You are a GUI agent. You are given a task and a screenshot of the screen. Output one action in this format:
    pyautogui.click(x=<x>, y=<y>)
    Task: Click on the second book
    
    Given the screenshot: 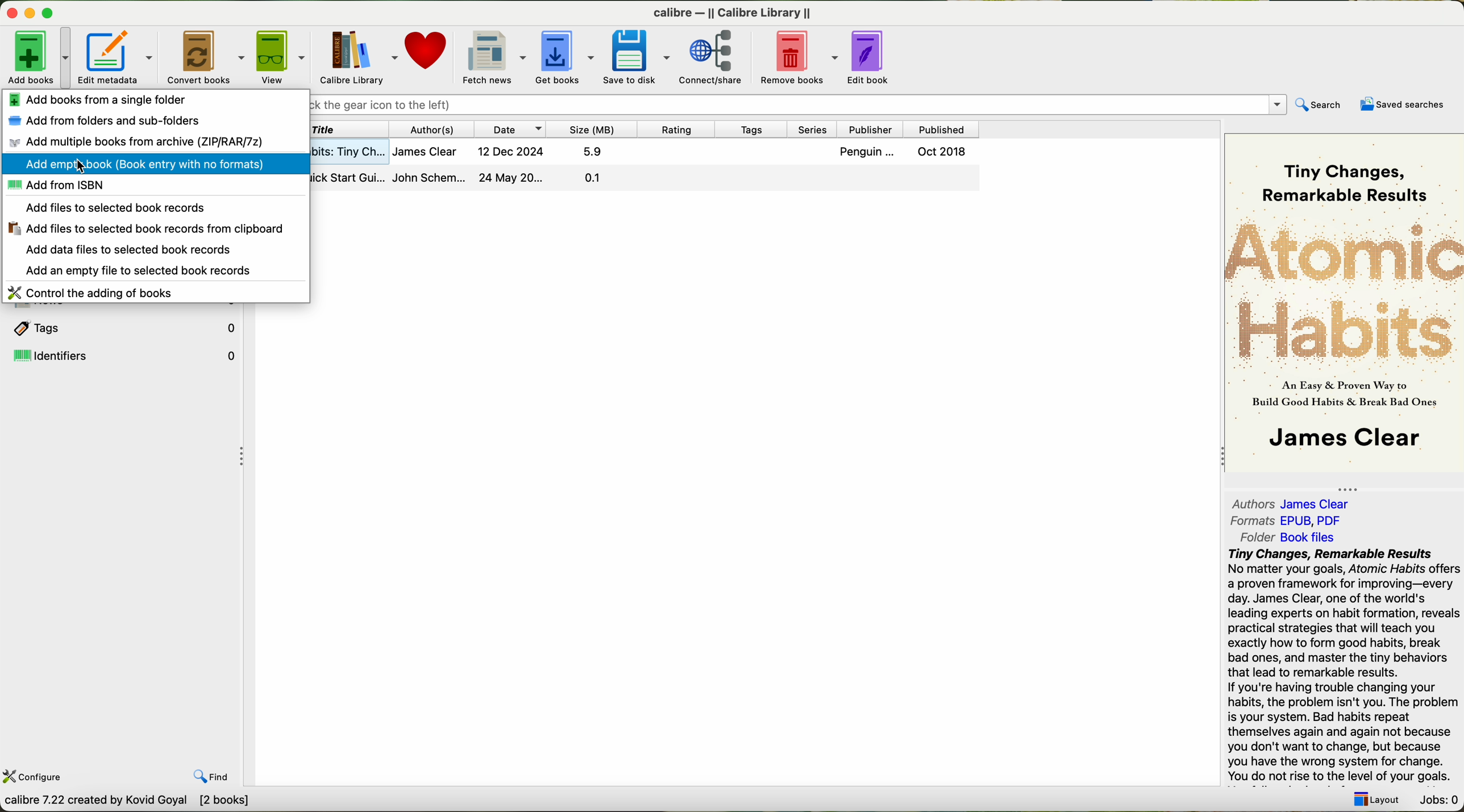 What is the action you would take?
    pyautogui.click(x=645, y=180)
    